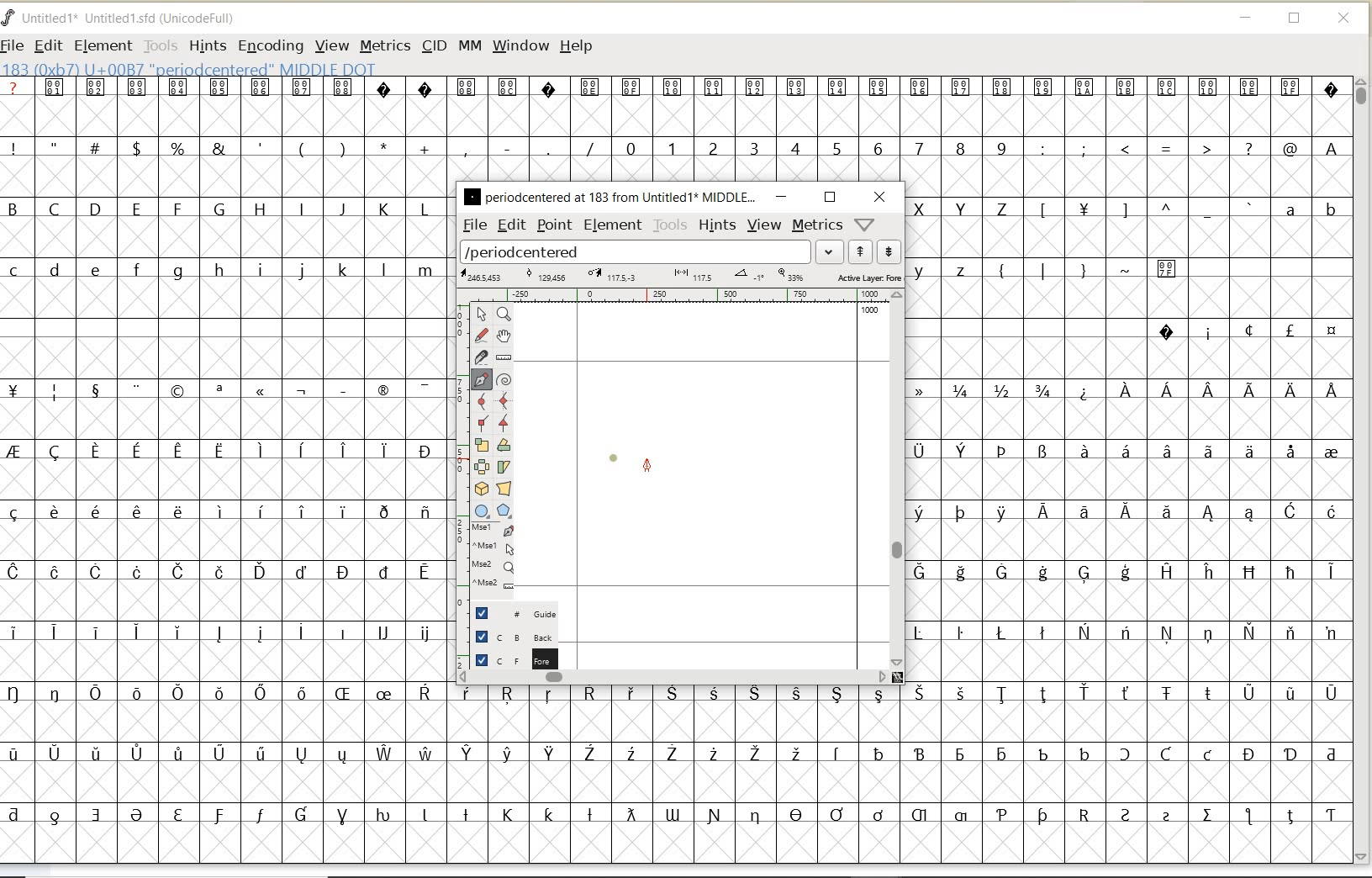  Describe the element at coordinates (470, 46) in the screenshot. I see `MM` at that location.